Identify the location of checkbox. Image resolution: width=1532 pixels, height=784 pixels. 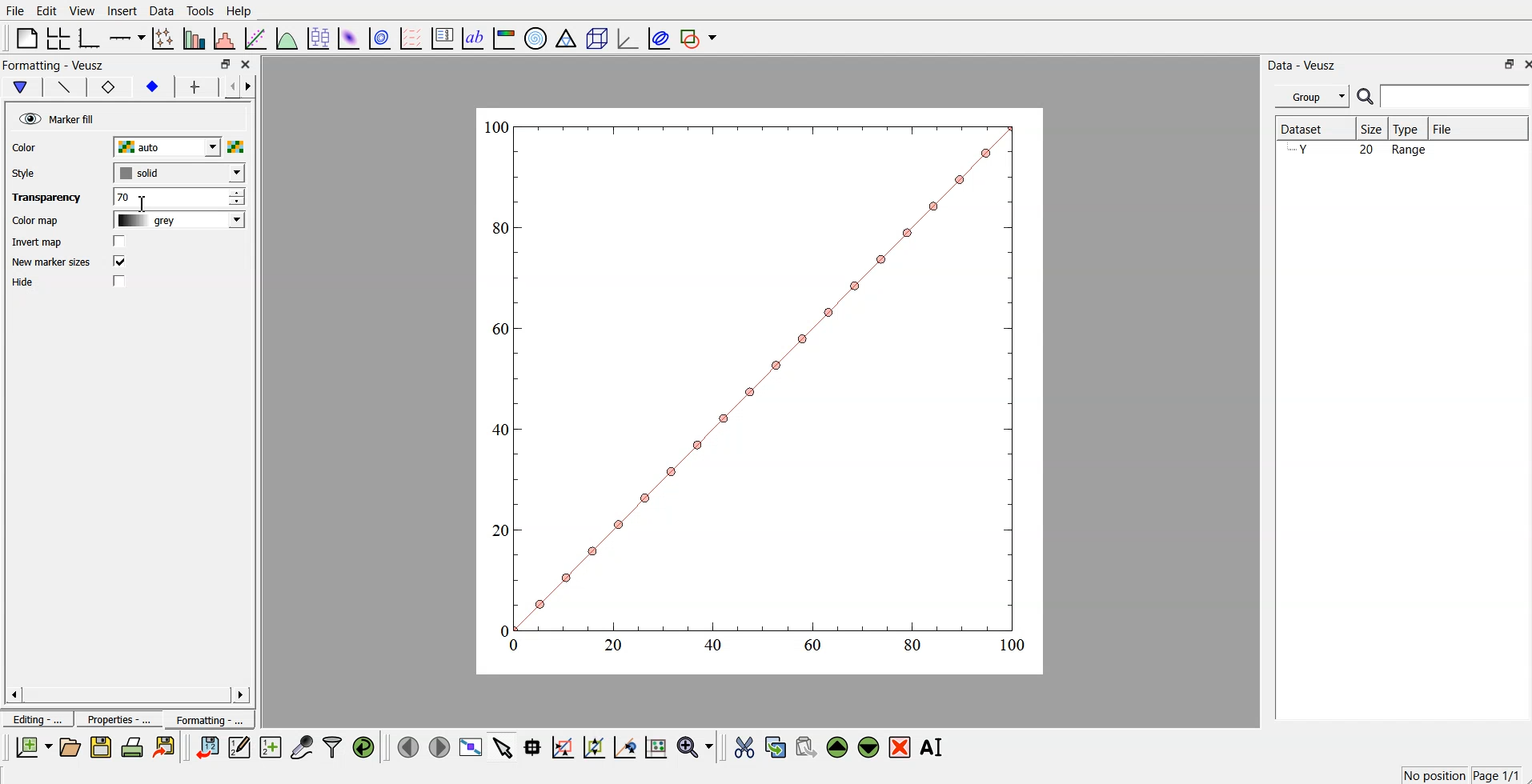
(122, 242).